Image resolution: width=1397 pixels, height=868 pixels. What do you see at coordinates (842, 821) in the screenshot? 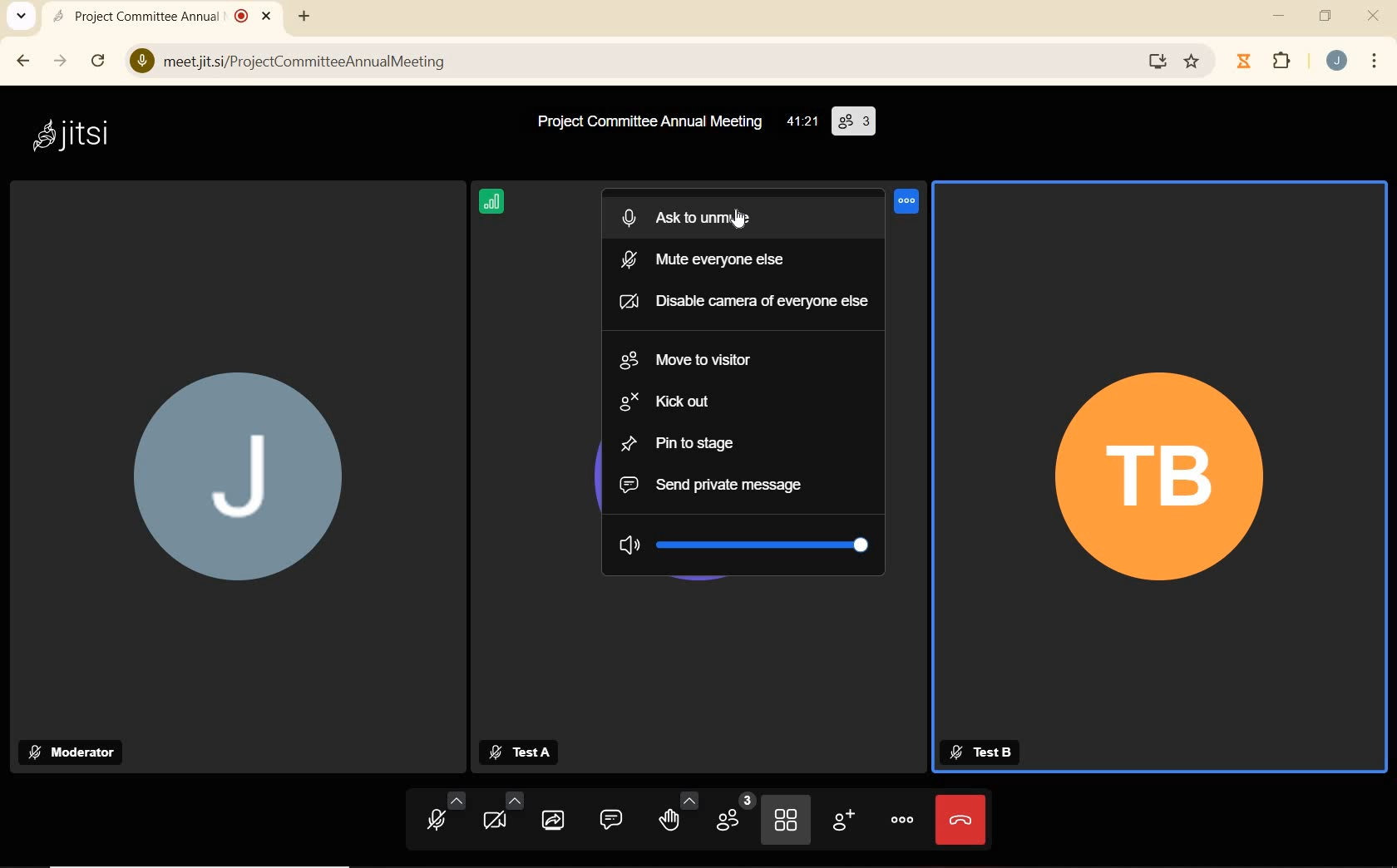
I see `INVITE PEOPLE` at bounding box center [842, 821].